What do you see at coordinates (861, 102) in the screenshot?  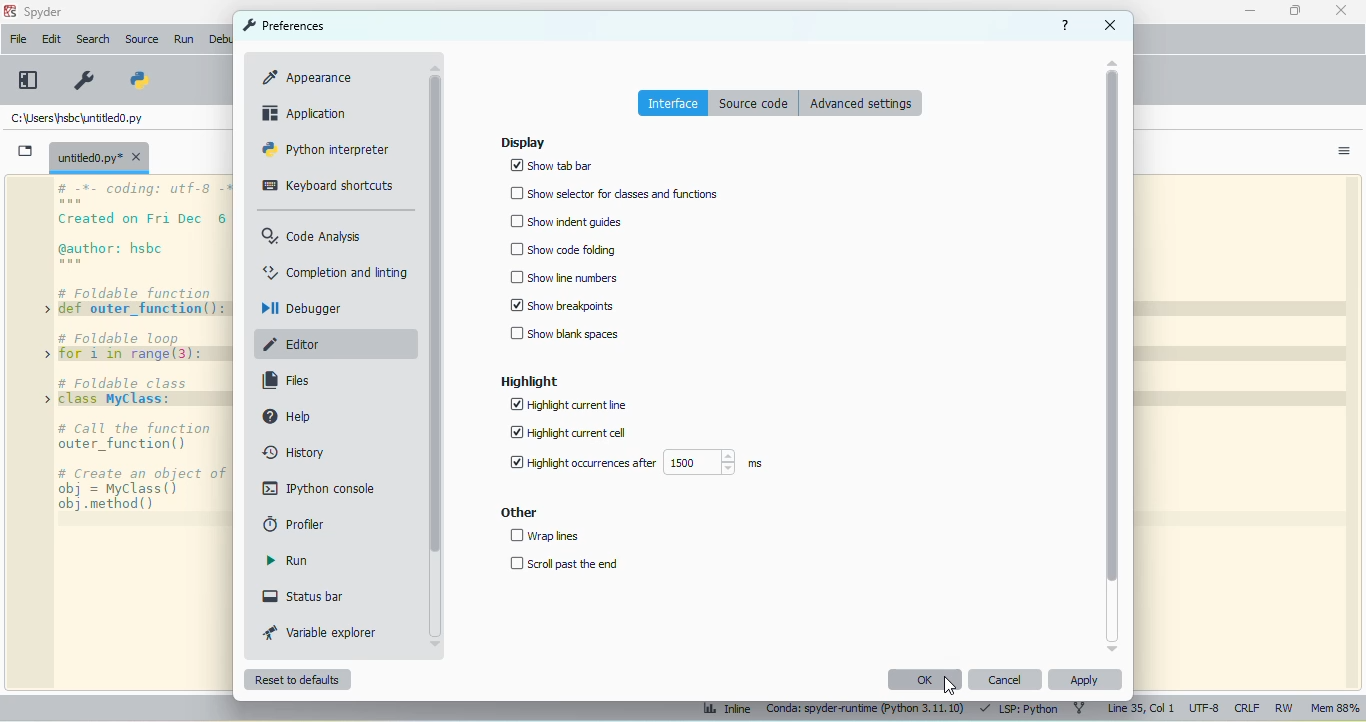 I see `advanced settings` at bounding box center [861, 102].